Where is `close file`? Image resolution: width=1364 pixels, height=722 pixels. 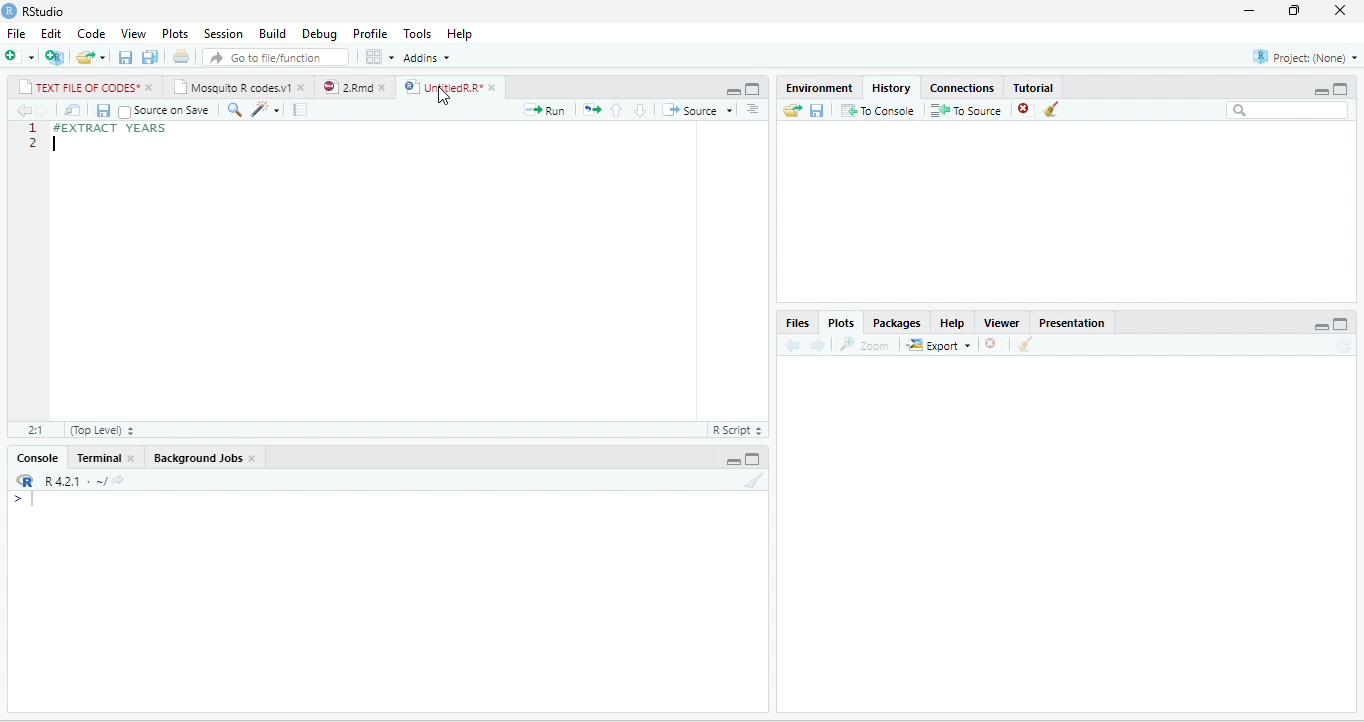 close file is located at coordinates (996, 344).